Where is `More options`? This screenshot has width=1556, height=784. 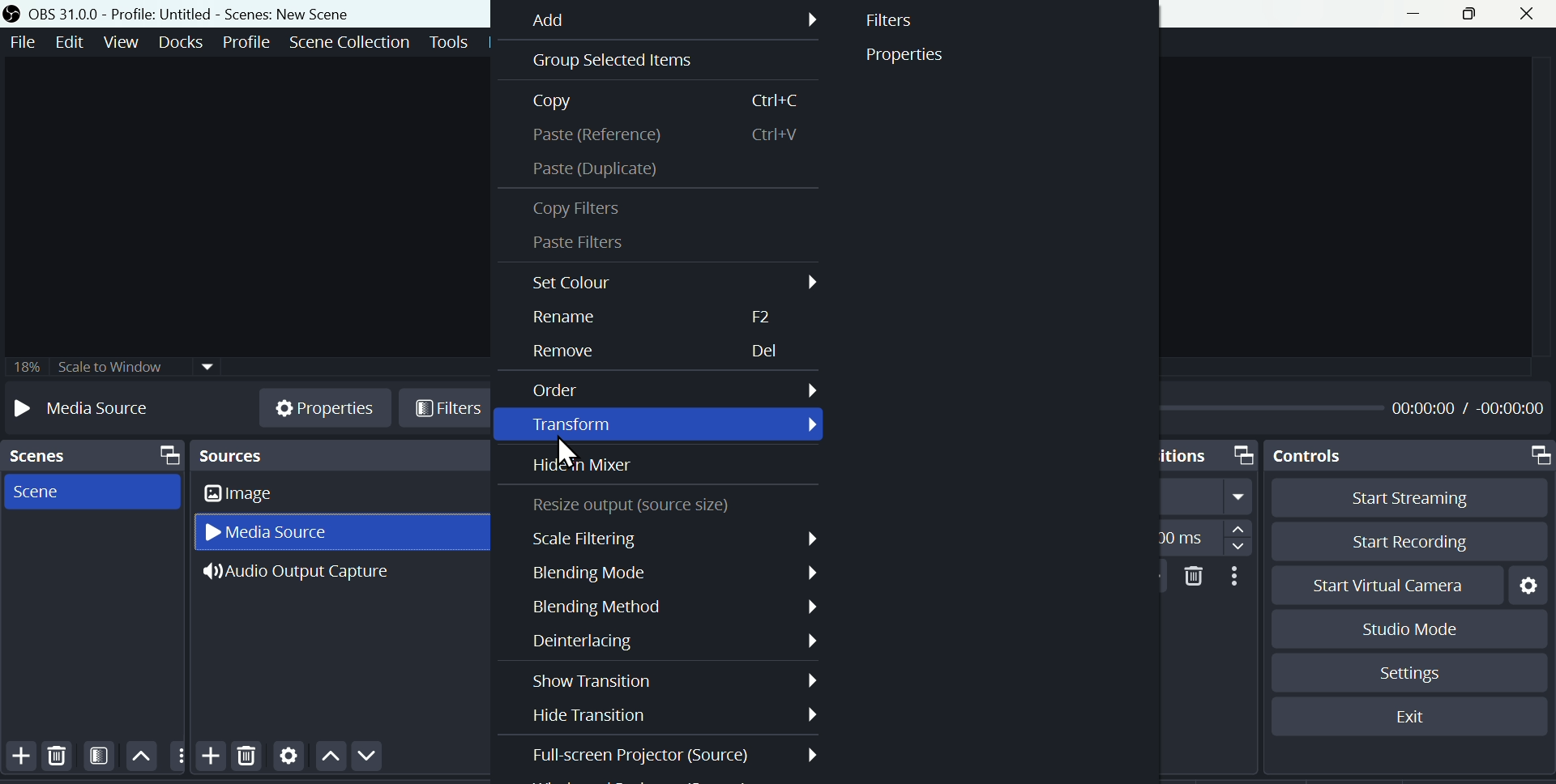
More options is located at coordinates (1236, 576).